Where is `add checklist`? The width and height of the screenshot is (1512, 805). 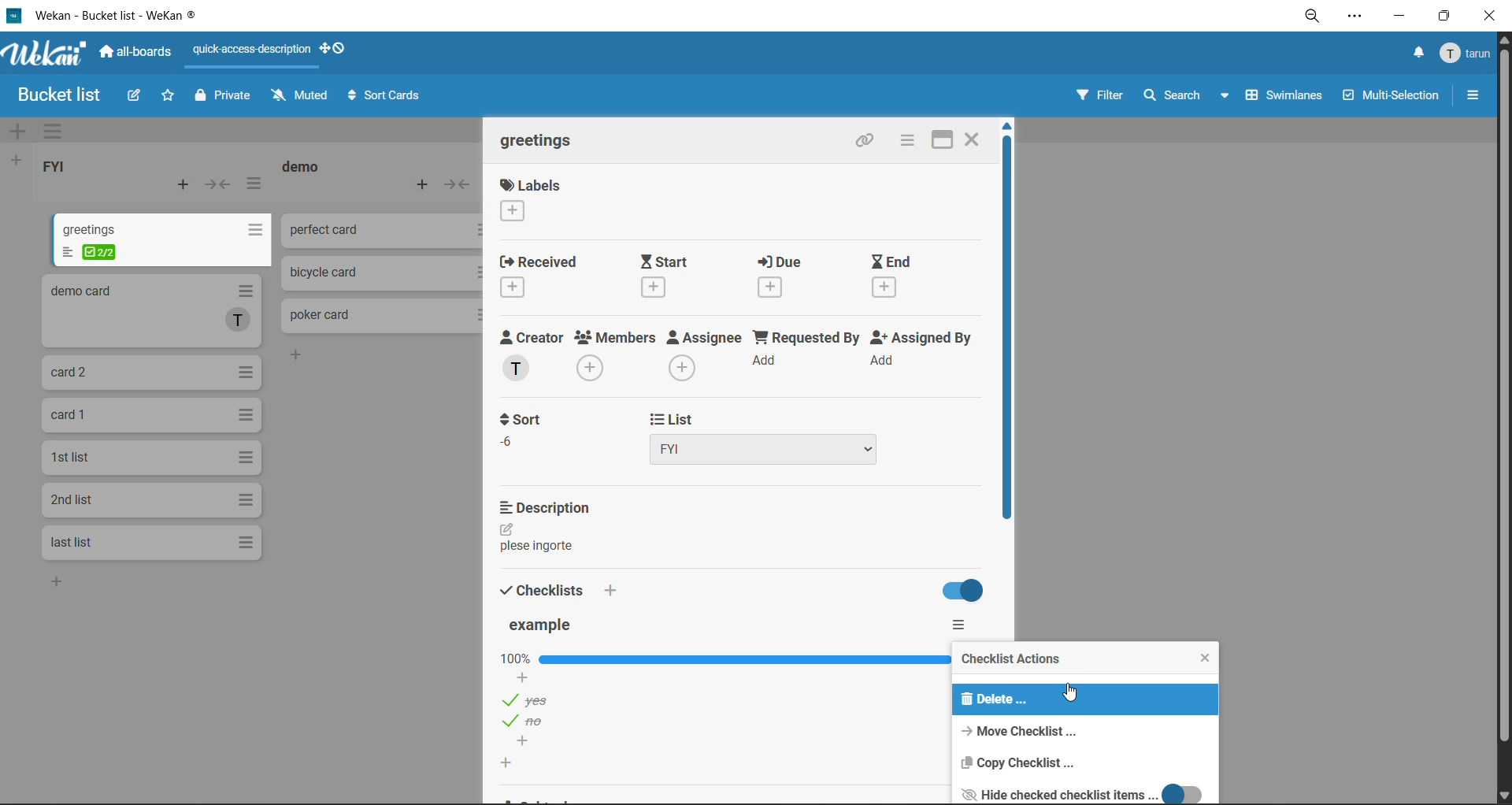 add checklist is located at coordinates (620, 590).